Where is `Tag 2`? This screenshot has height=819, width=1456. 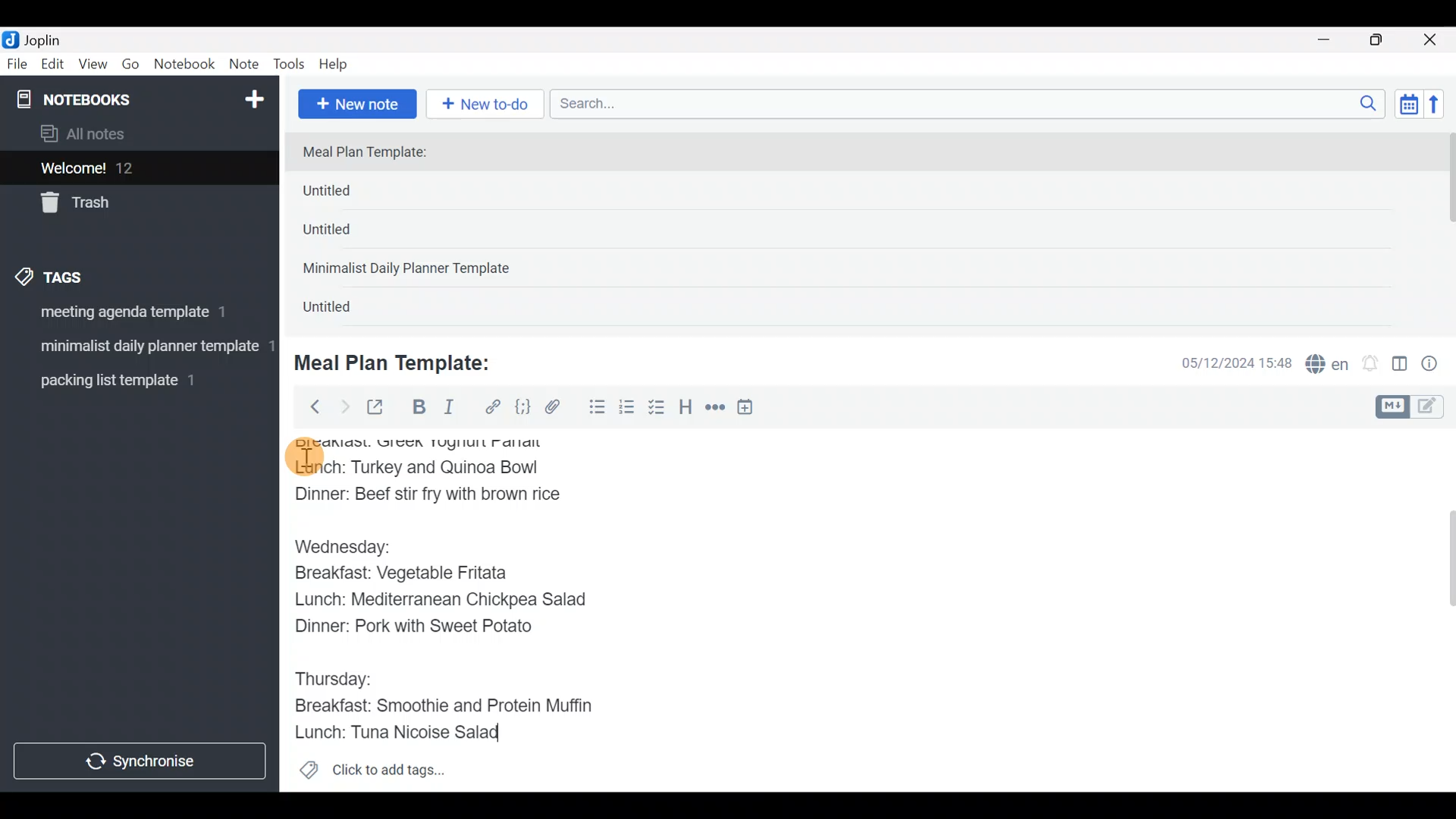 Tag 2 is located at coordinates (139, 348).